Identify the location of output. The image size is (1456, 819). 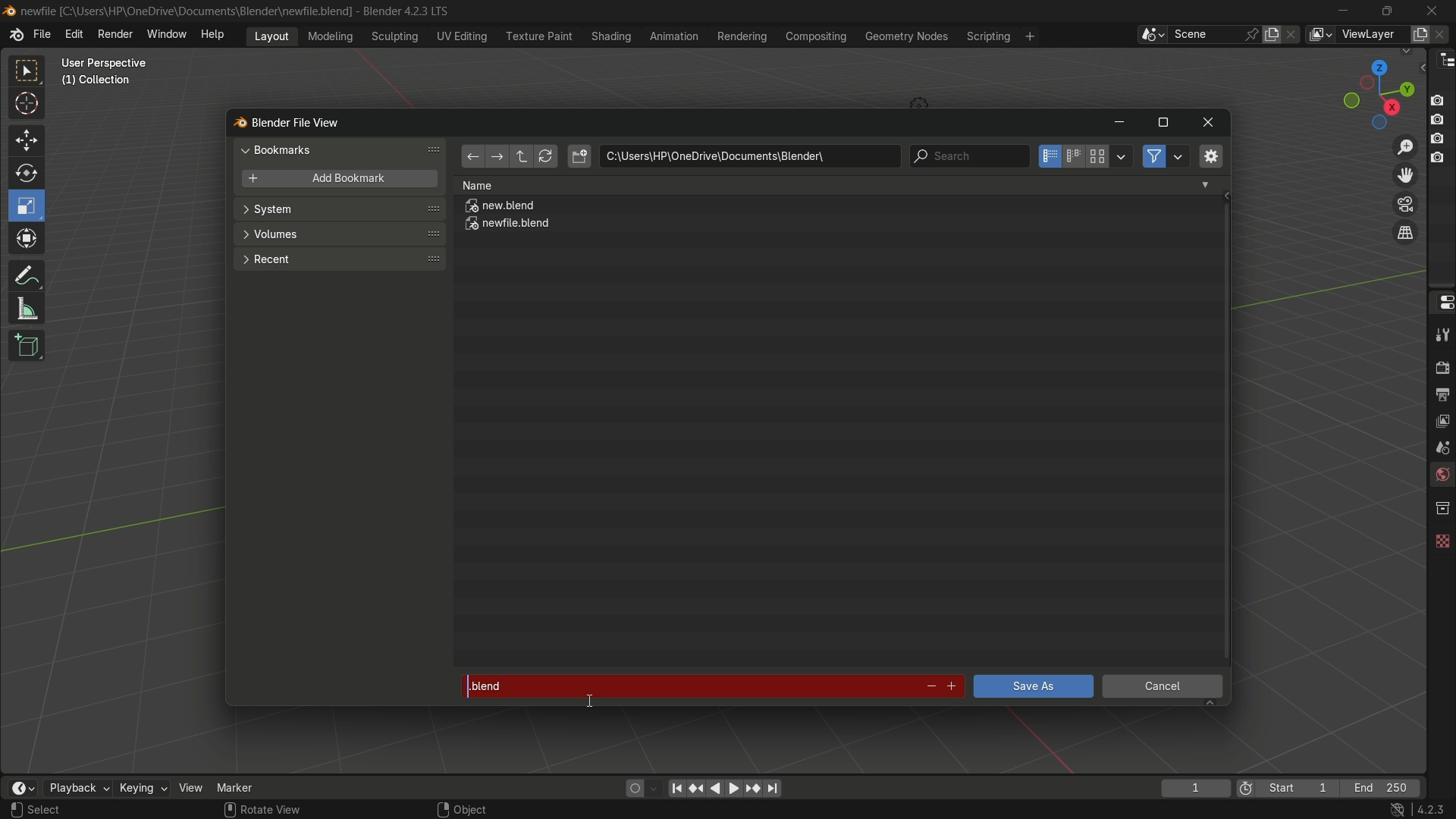
(1442, 394).